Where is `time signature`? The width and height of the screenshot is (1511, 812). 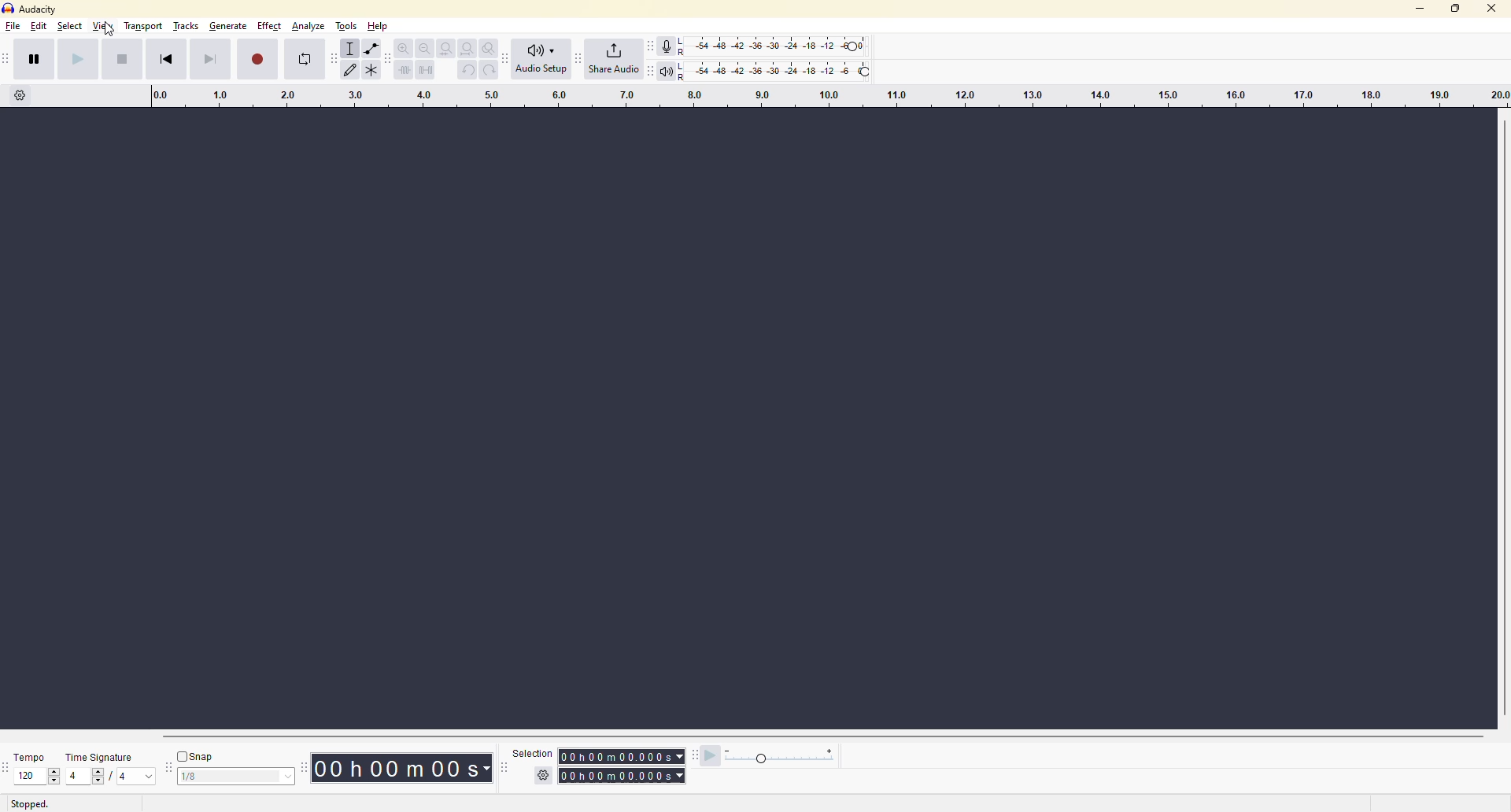 time signature is located at coordinates (106, 755).